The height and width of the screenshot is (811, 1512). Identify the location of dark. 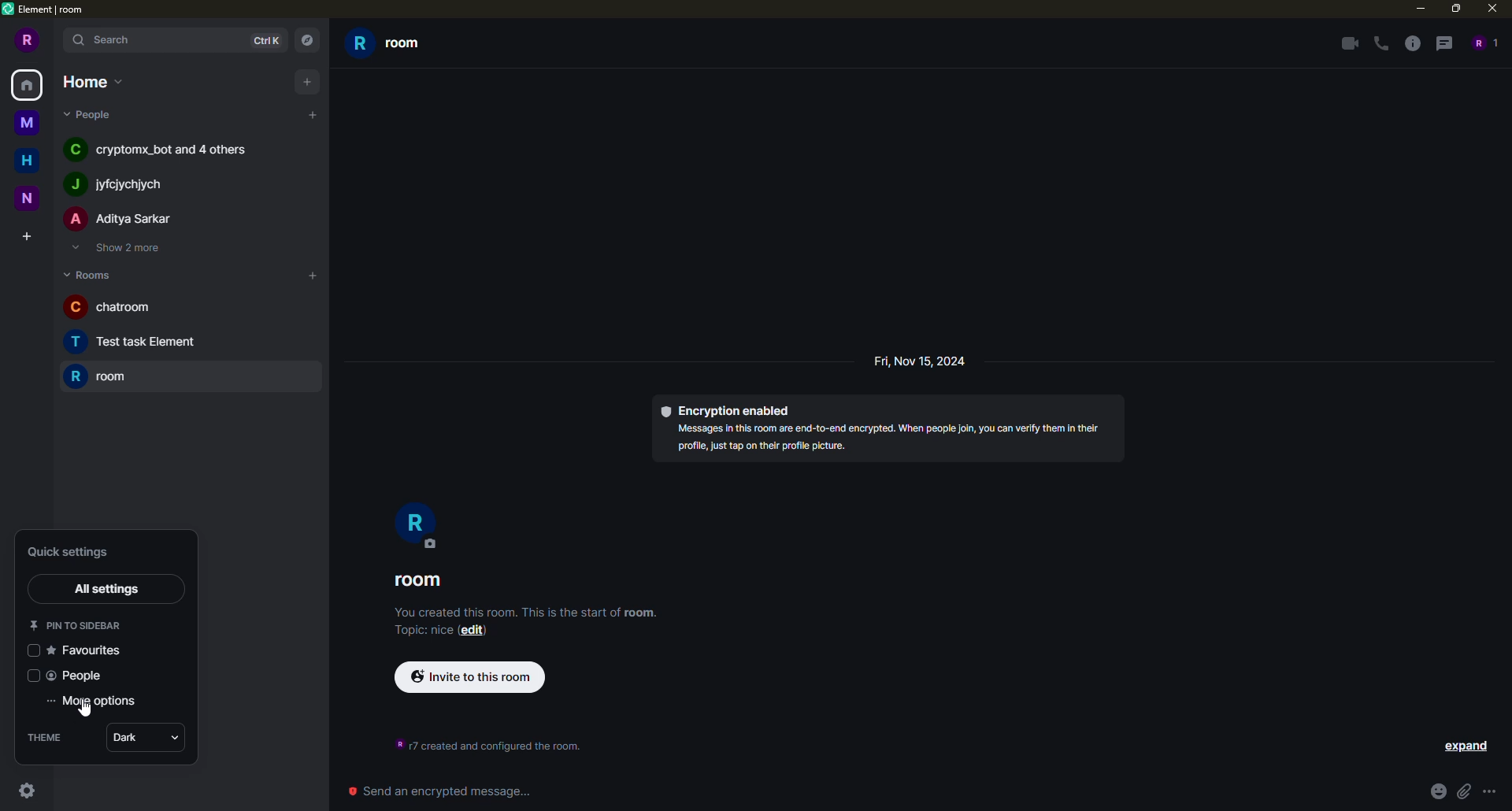
(126, 738).